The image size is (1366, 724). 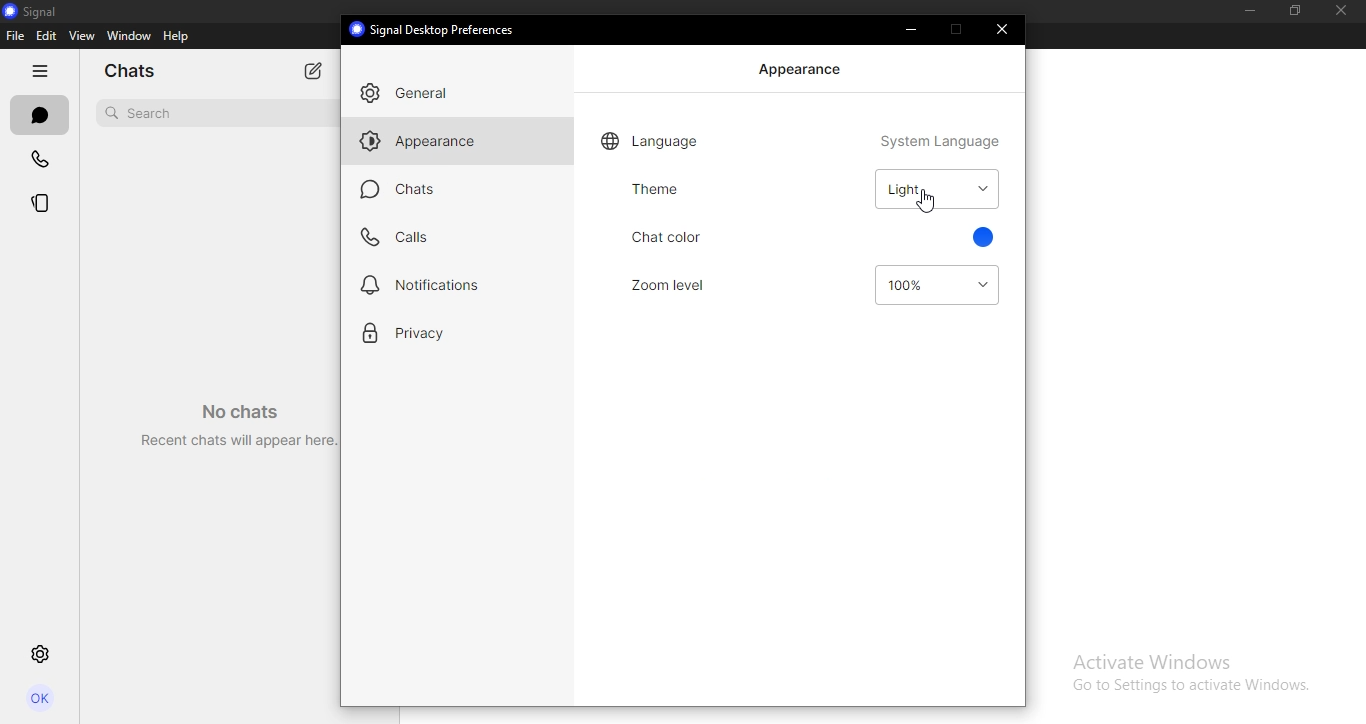 What do you see at coordinates (416, 94) in the screenshot?
I see `general` at bounding box center [416, 94].